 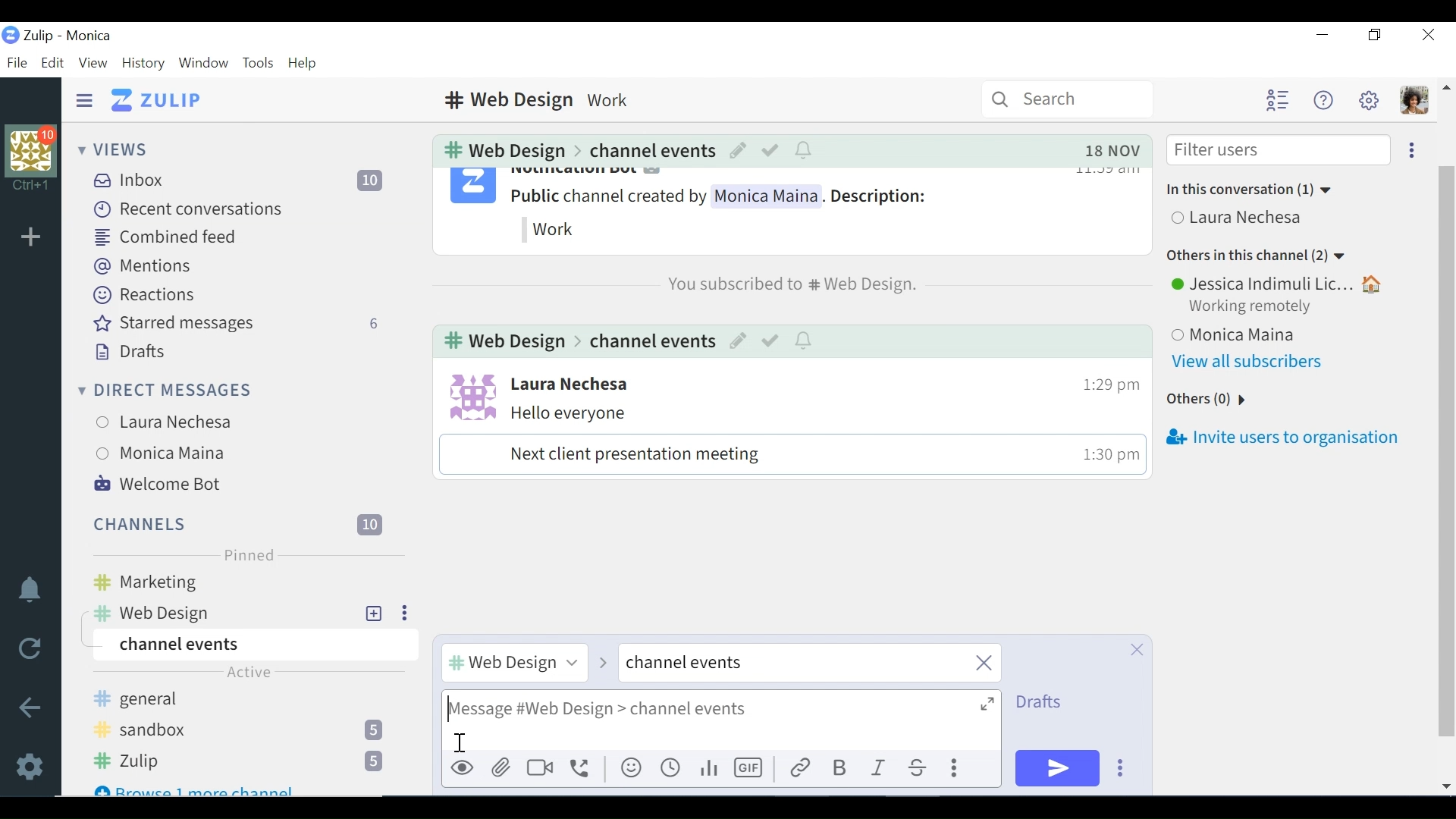 What do you see at coordinates (838, 768) in the screenshot?
I see `Bold` at bounding box center [838, 768].